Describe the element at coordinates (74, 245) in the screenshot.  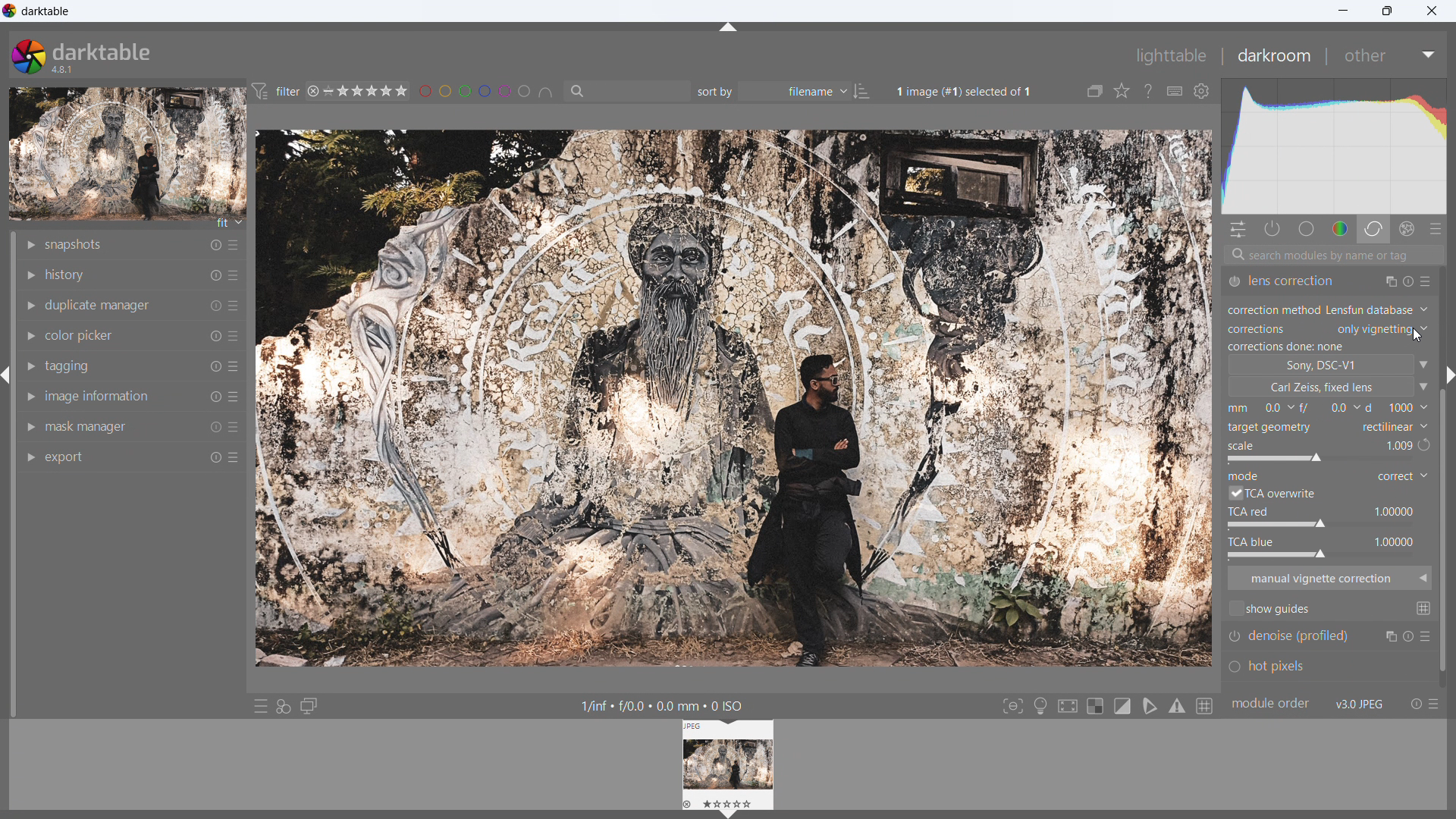
I see `snapshots` at that location.